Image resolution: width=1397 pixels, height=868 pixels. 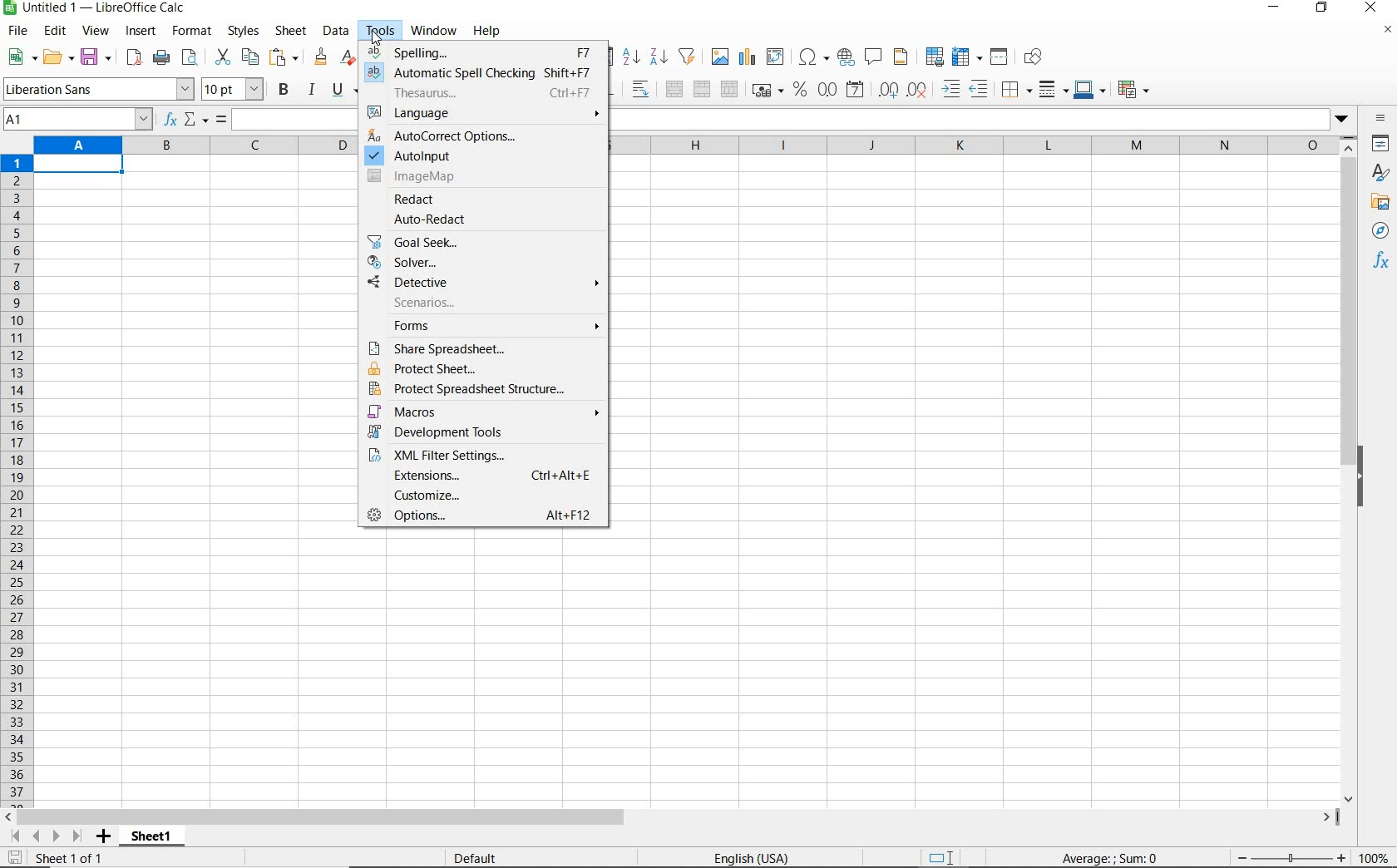 I want to click on print, so click(x=160, y=58).